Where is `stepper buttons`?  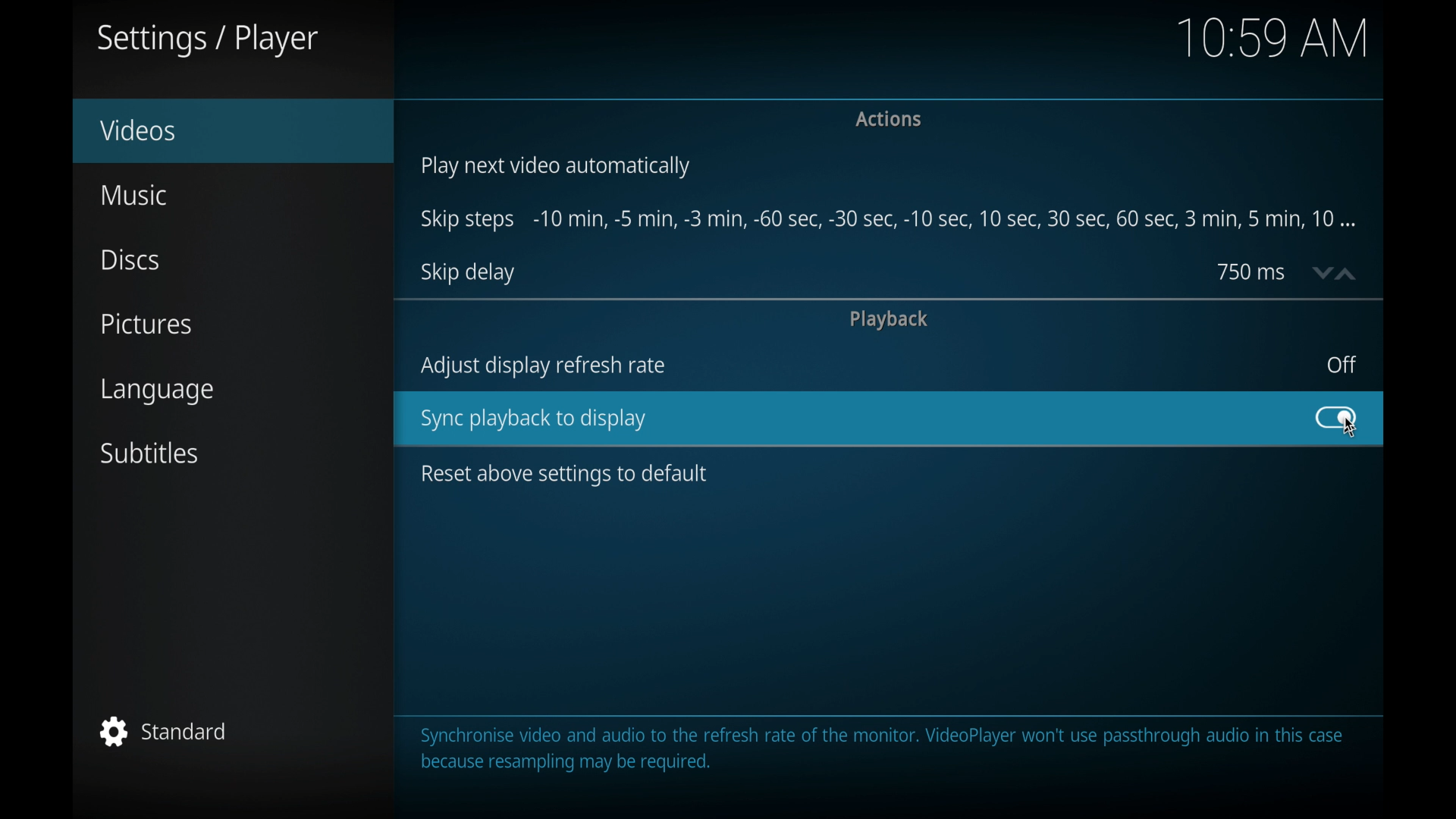 stepper buttons is located at coordinates (1336, 272).